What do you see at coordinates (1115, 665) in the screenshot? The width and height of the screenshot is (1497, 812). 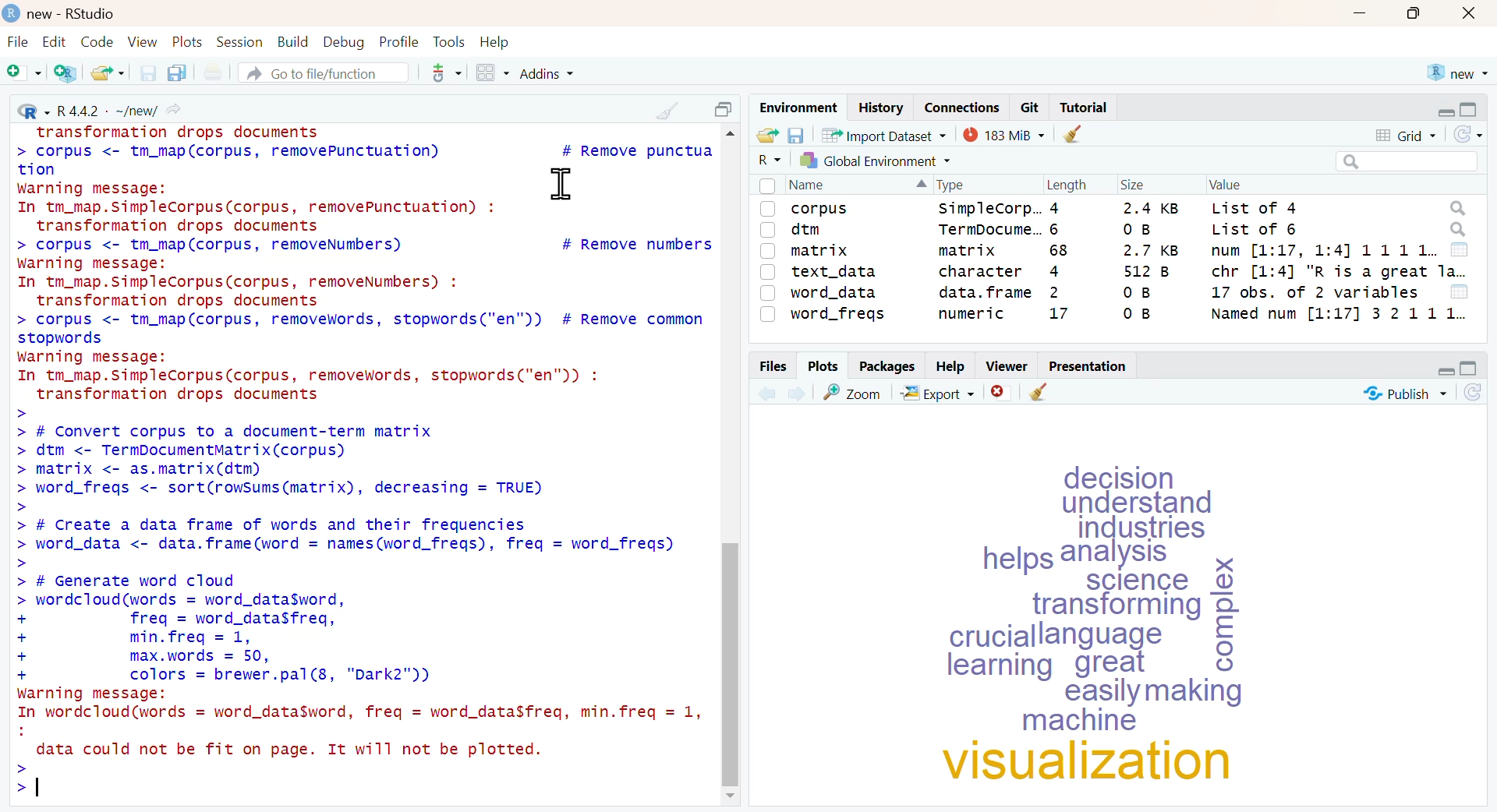 I see `great` at bounding box center [1115, 665].